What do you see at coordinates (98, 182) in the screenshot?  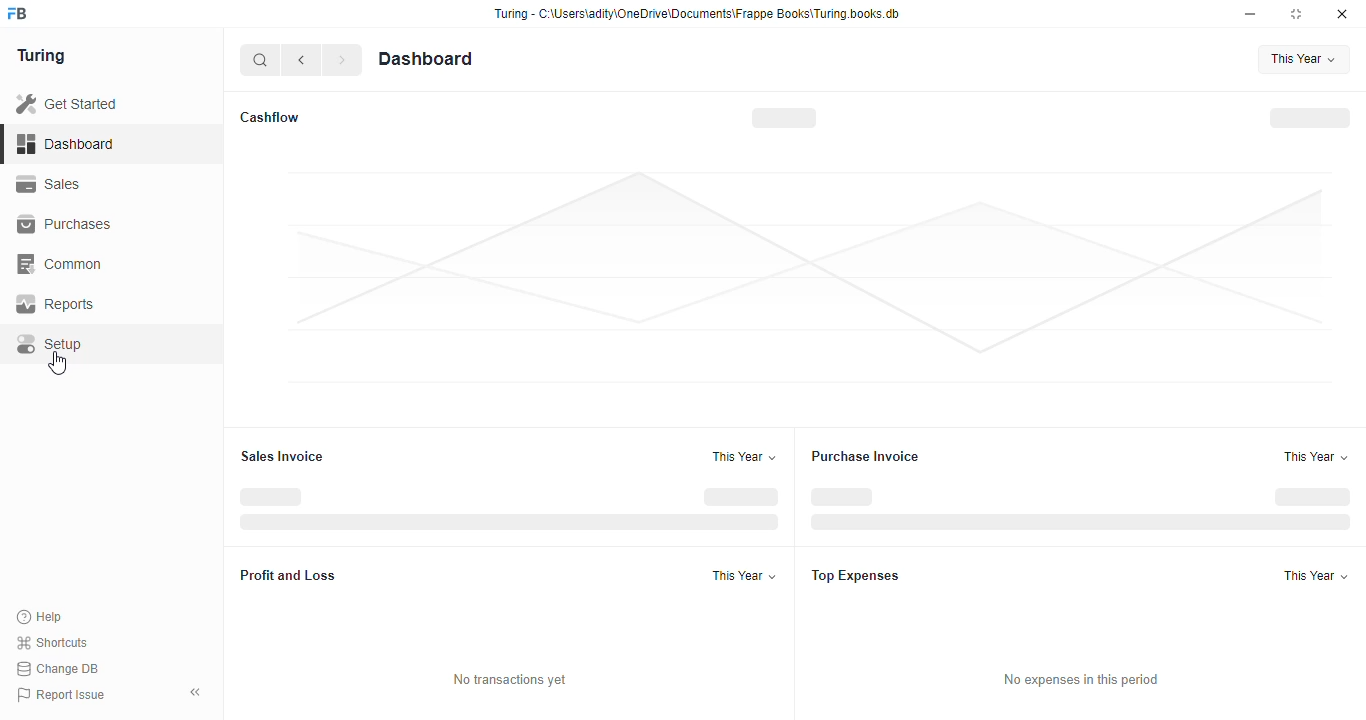 I see `Sales` at bounding box center [98, 182].